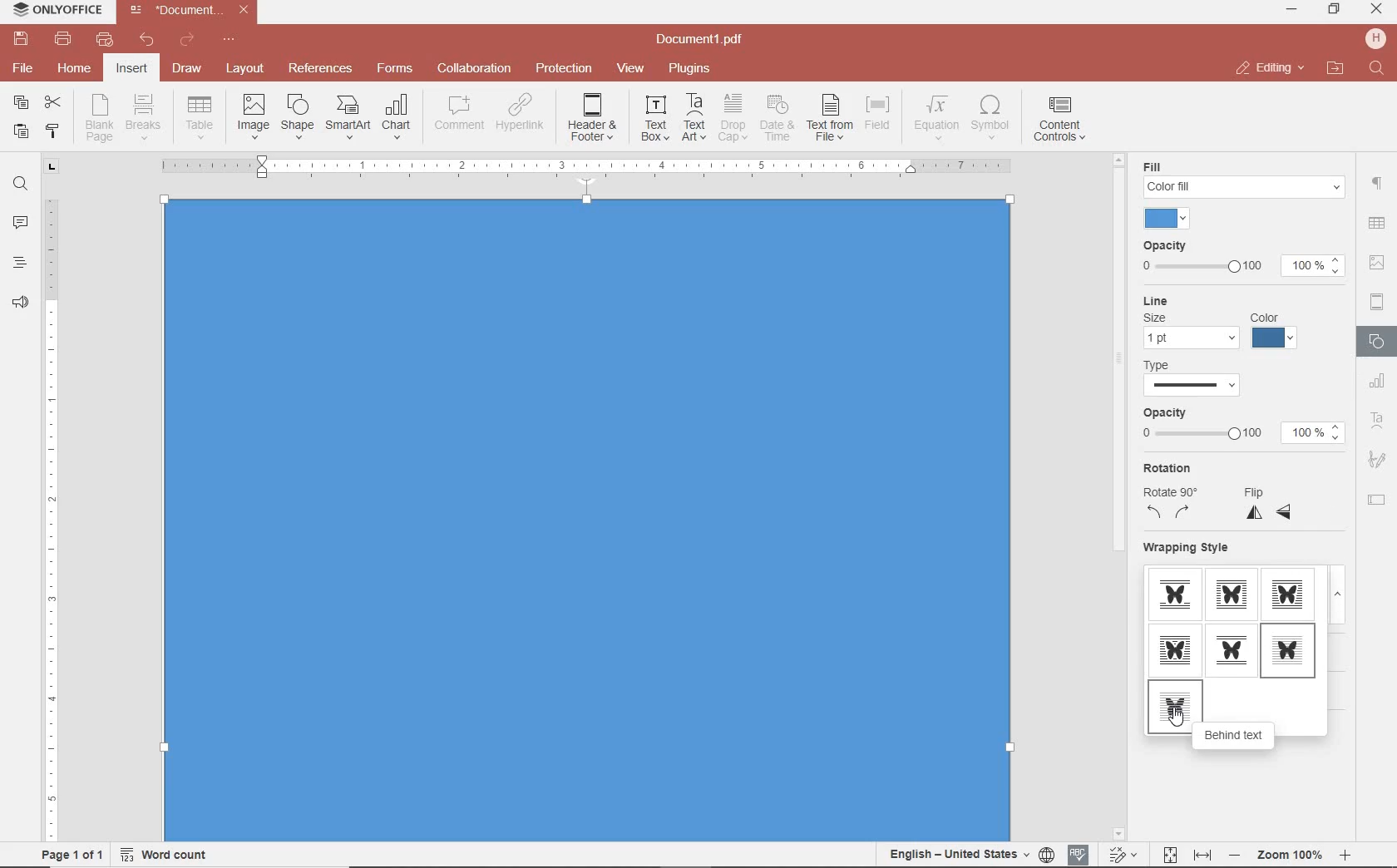 Image resolution: width=1397 pixels, height=868 pixels. Describe the element at coordinates (185, 42) in the screenshot. I see `redo` at that location.